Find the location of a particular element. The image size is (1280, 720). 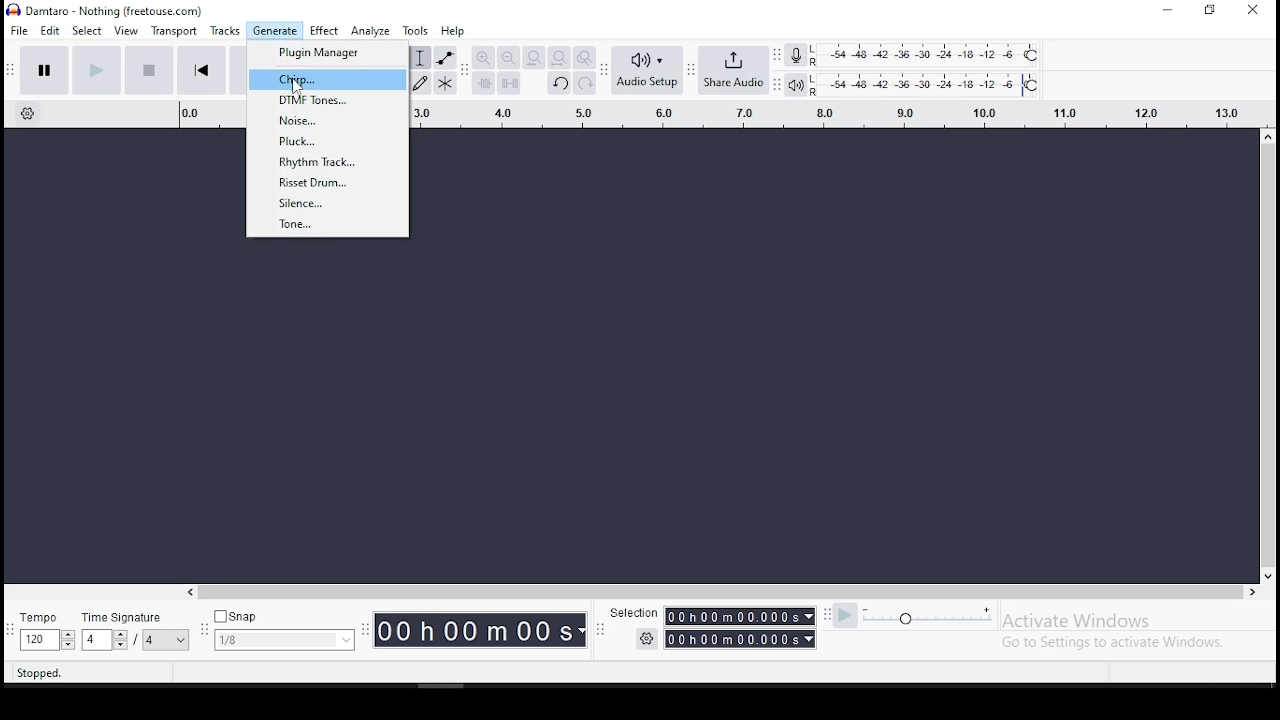

zoom toggle is located at coordinates (585, 57).